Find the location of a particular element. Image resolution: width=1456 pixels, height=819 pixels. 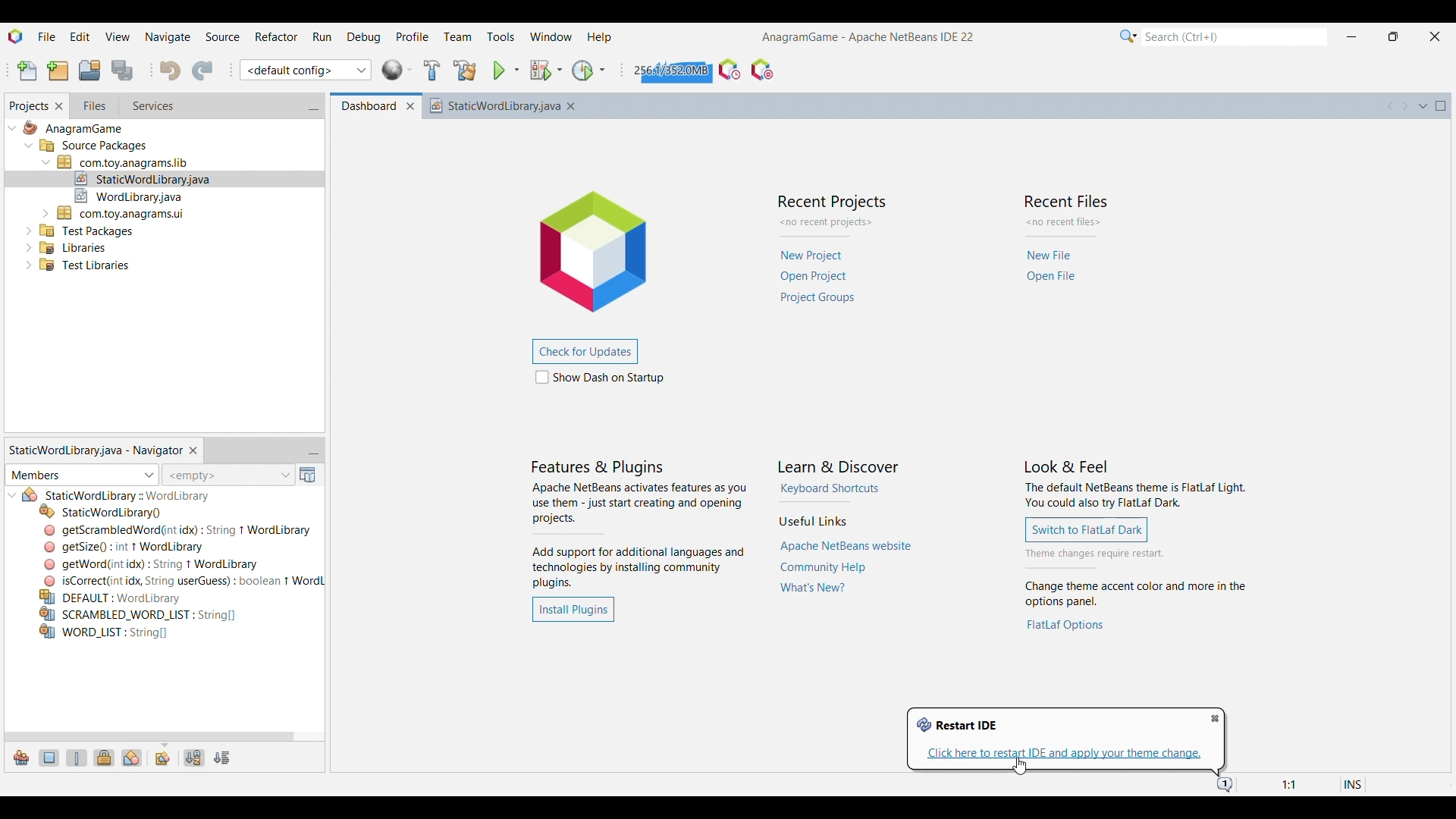

cursor is located at coordinates (1022, 767).